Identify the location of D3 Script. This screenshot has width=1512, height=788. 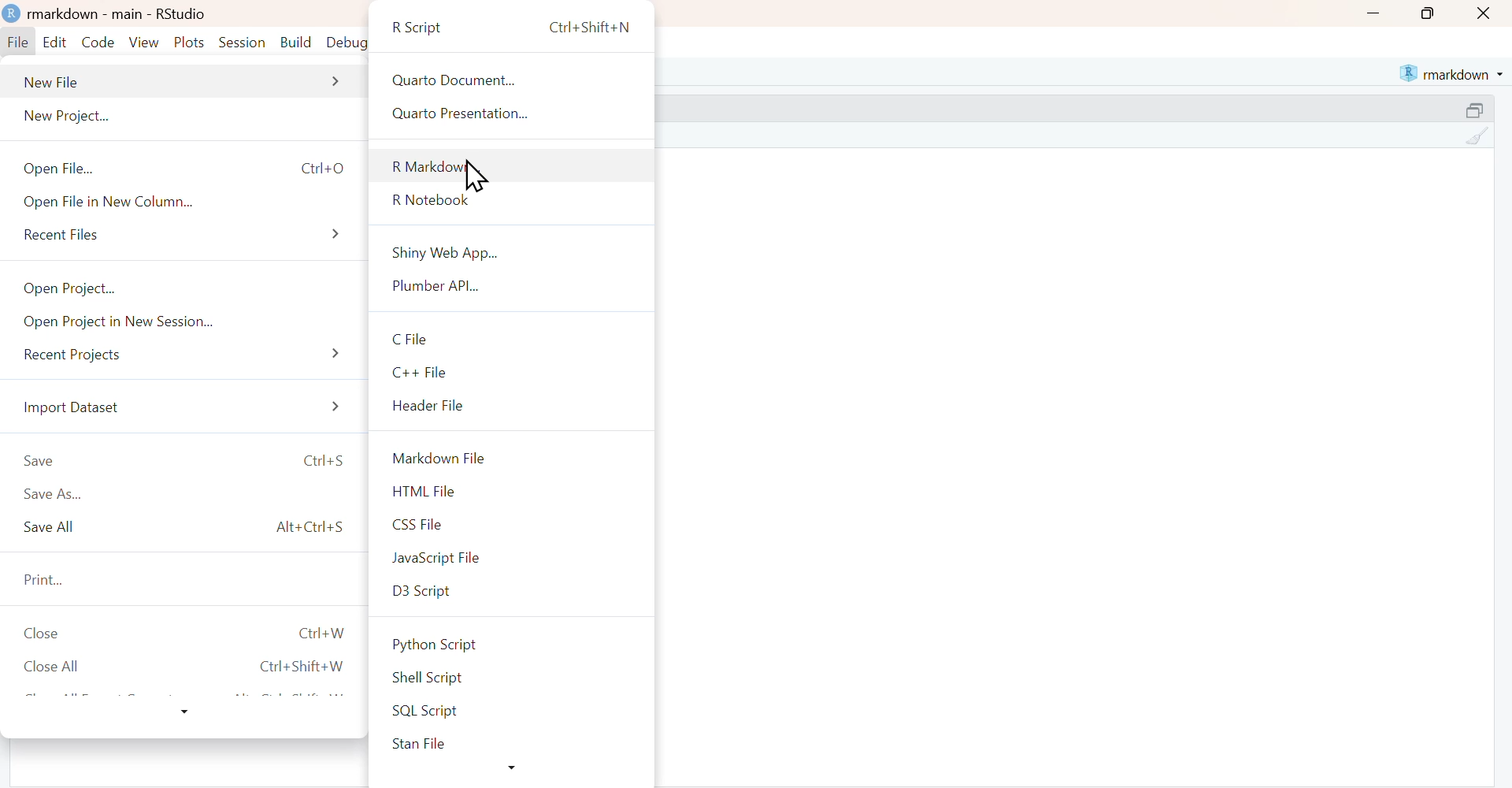
(513, 590).